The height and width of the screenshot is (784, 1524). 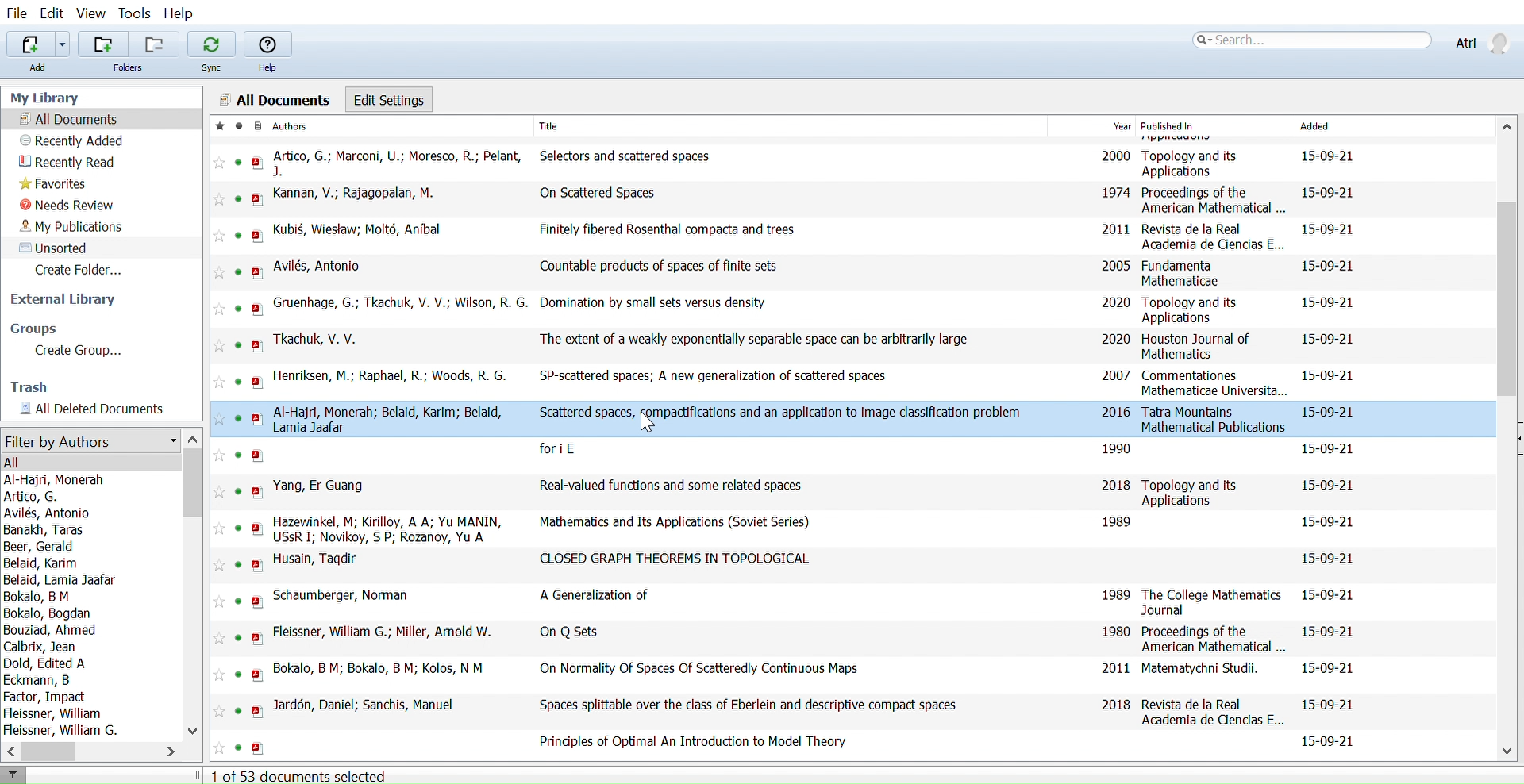 I want to click on favourite, so click(x=217, y=492).